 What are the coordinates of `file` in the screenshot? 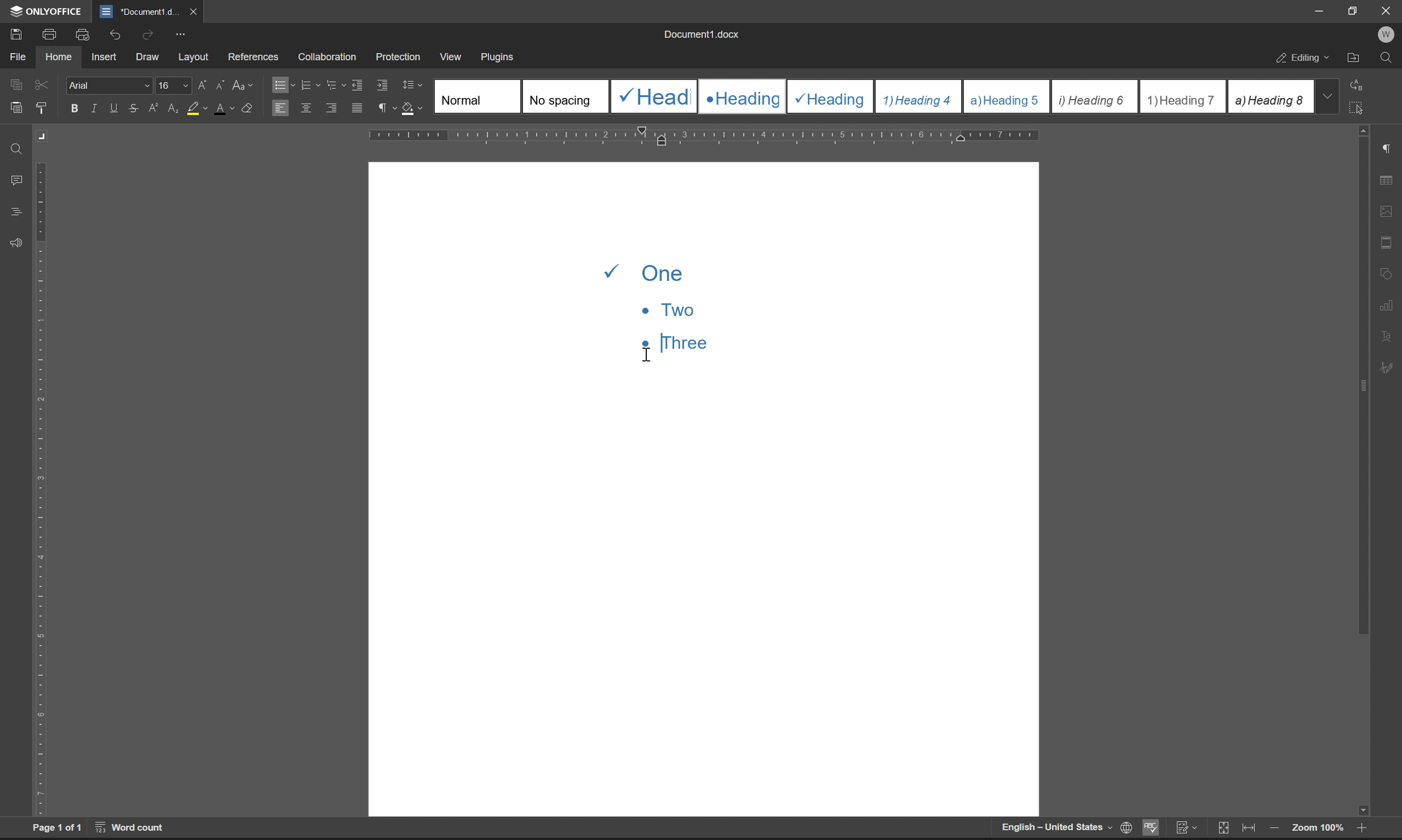 It's located at (17, 57).